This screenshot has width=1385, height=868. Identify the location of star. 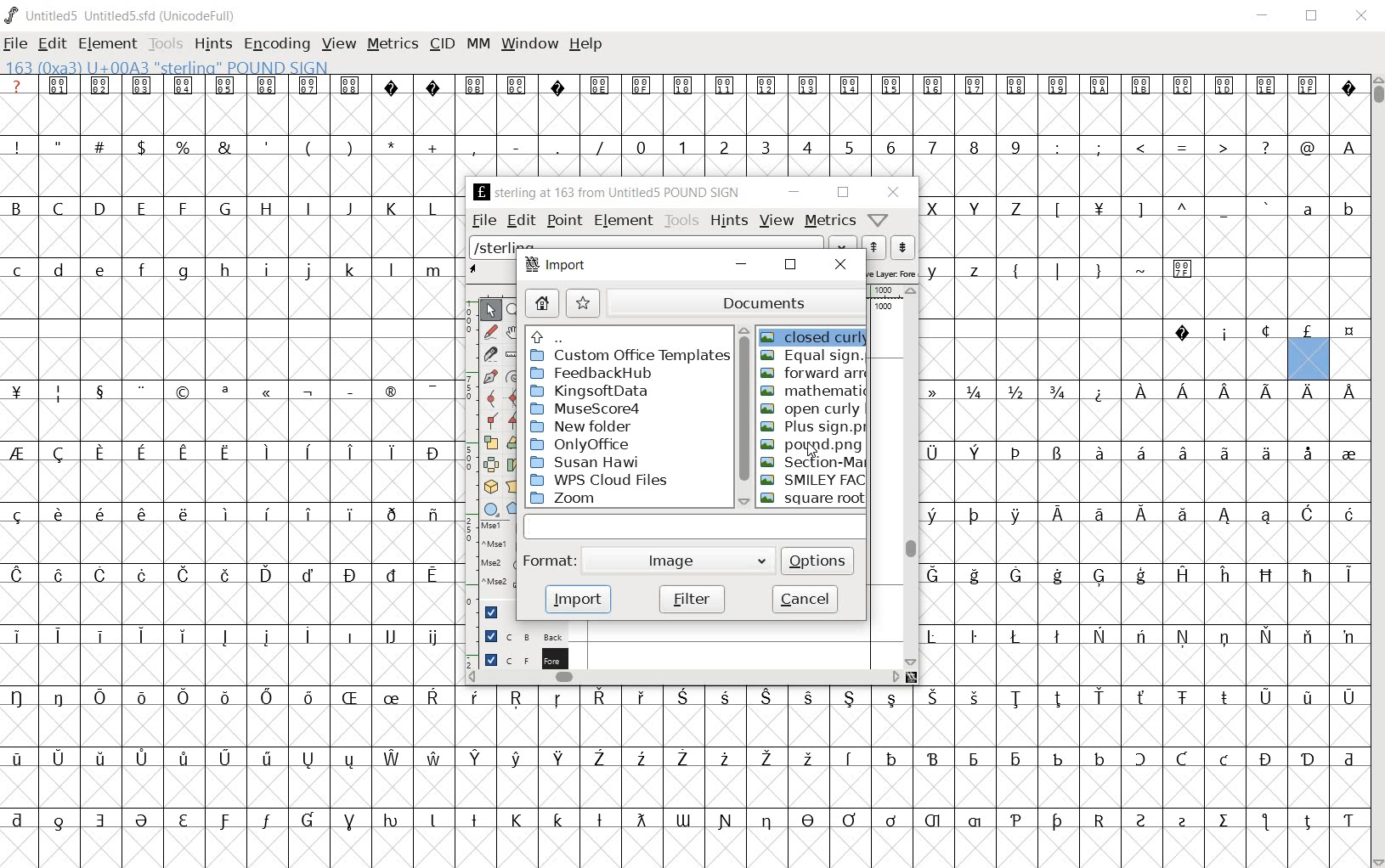
(585, 302).